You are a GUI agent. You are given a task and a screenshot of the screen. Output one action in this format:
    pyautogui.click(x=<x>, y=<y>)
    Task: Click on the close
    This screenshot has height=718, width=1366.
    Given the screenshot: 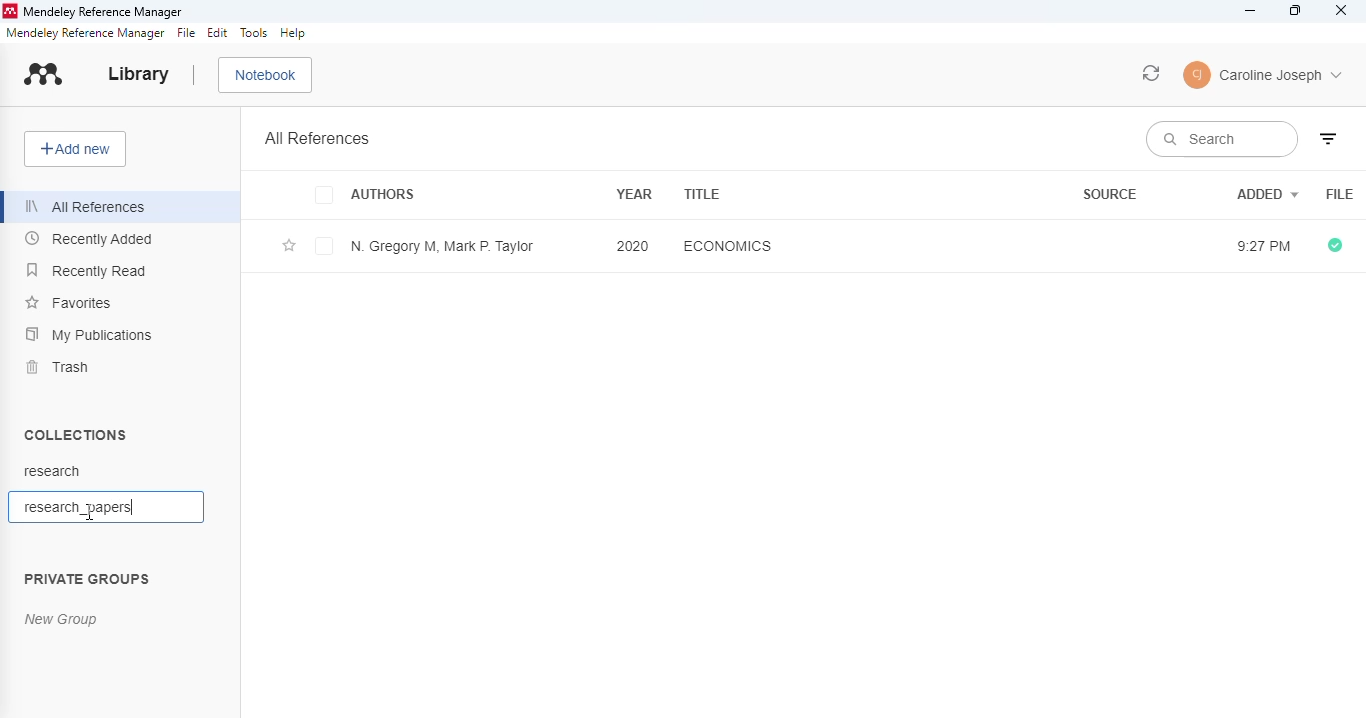 What is the action you would take?
    pyautogui.click(x=1342, y=10)
    